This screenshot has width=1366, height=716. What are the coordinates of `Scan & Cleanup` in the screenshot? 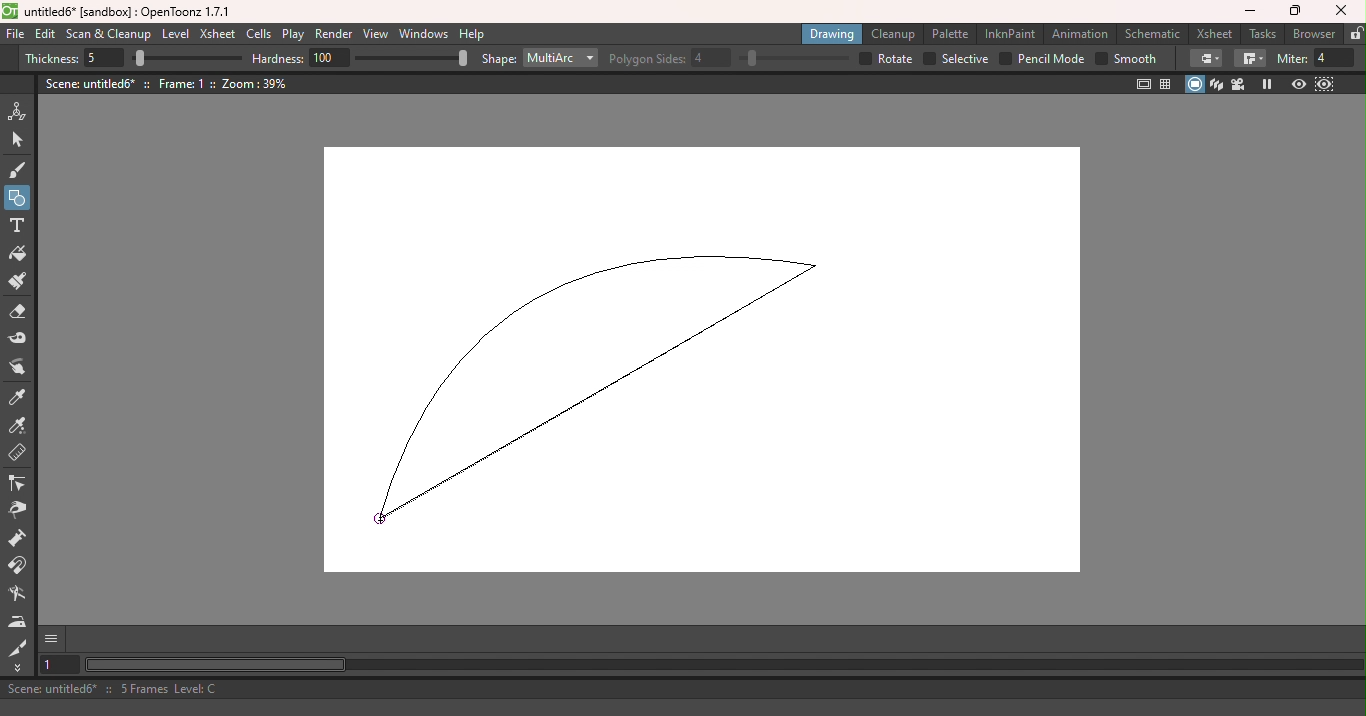 It's located at (108, 34).